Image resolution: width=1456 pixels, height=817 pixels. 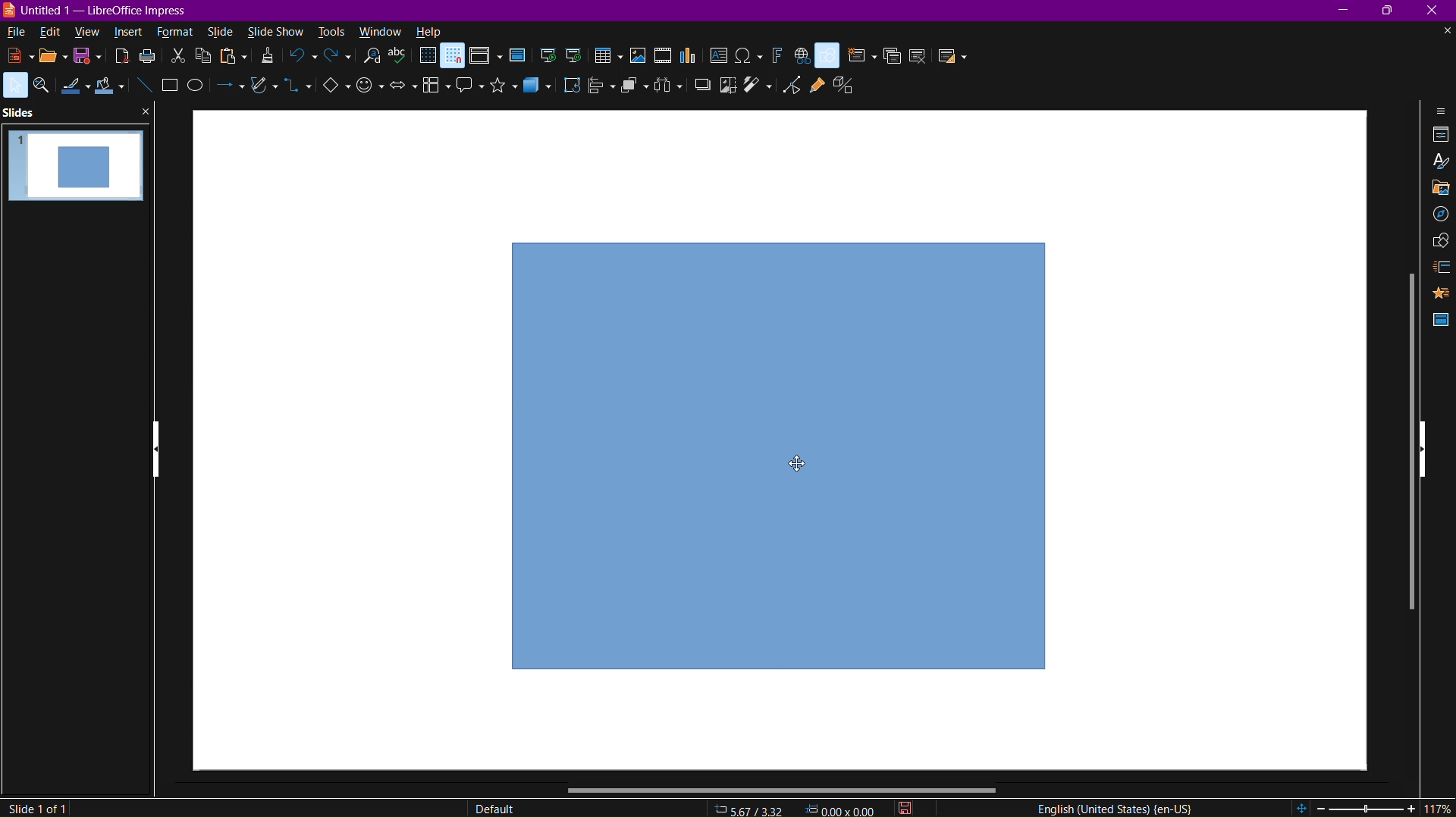 I want to click on slide, so click(x=221, y=31).